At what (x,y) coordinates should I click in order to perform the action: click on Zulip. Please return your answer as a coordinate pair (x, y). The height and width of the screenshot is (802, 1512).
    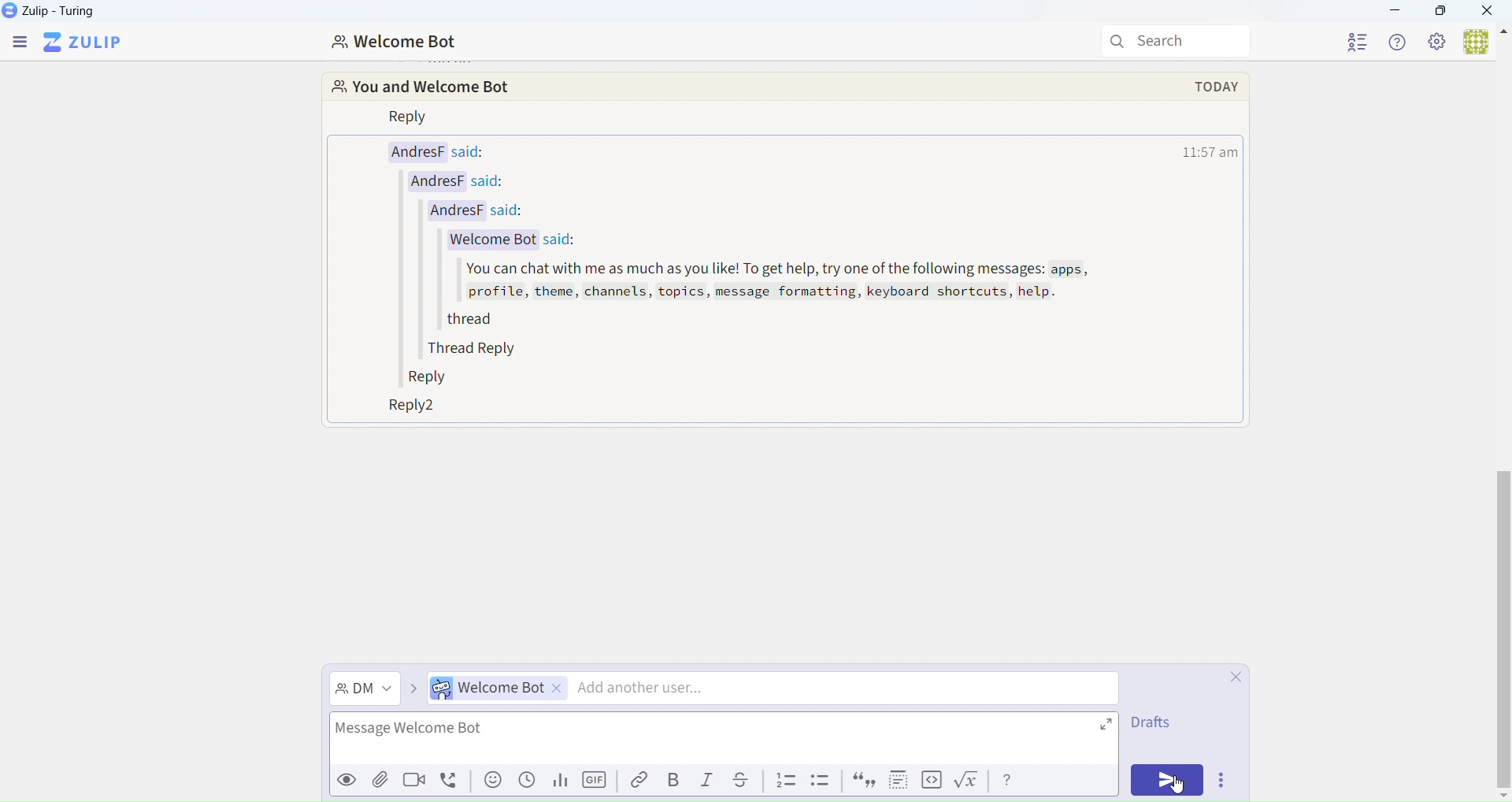
    Looking at the image, I should click on (58, 13).